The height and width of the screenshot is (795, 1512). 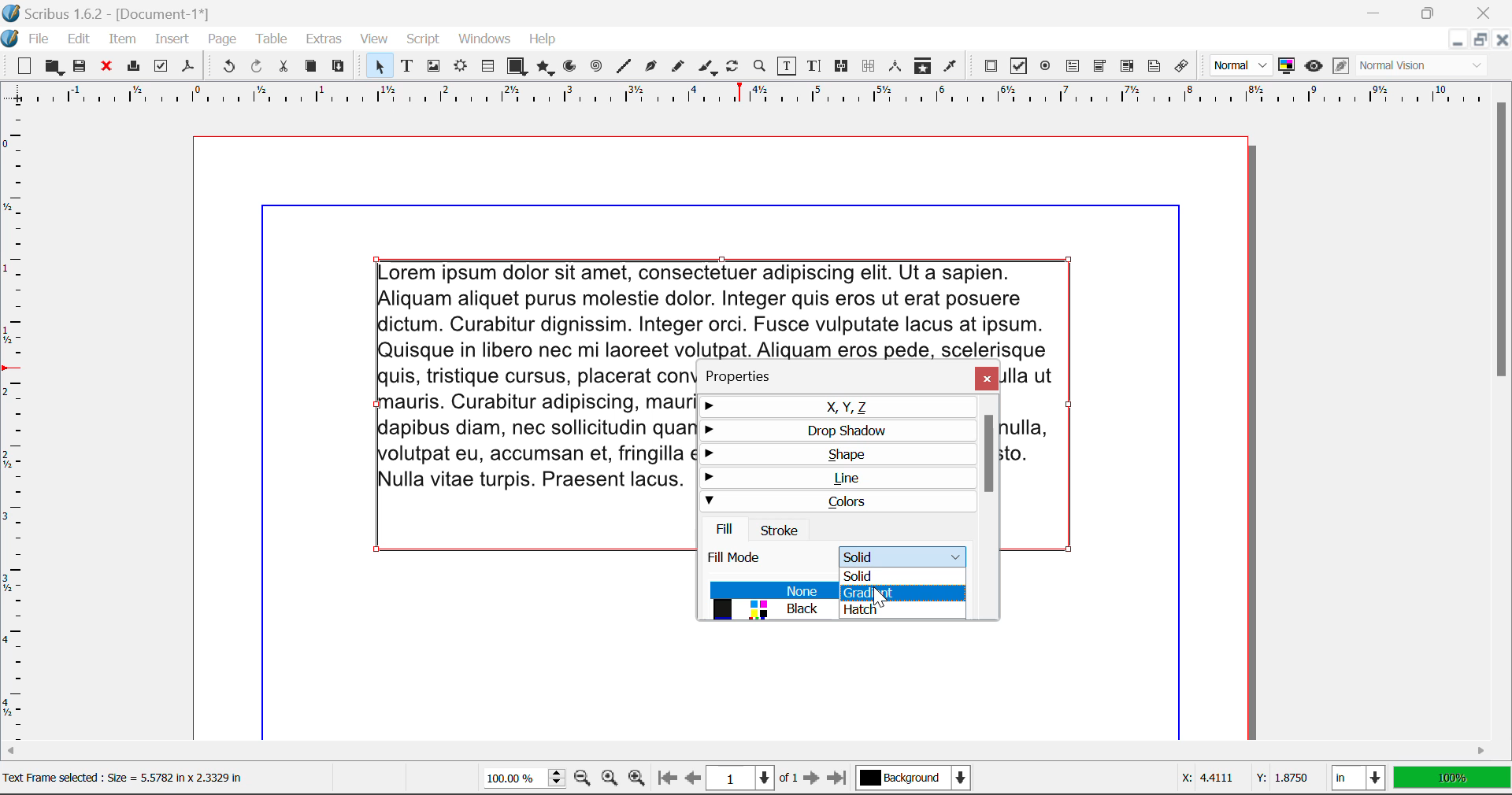 I want to click on Insert, so click(x=170, y=42).